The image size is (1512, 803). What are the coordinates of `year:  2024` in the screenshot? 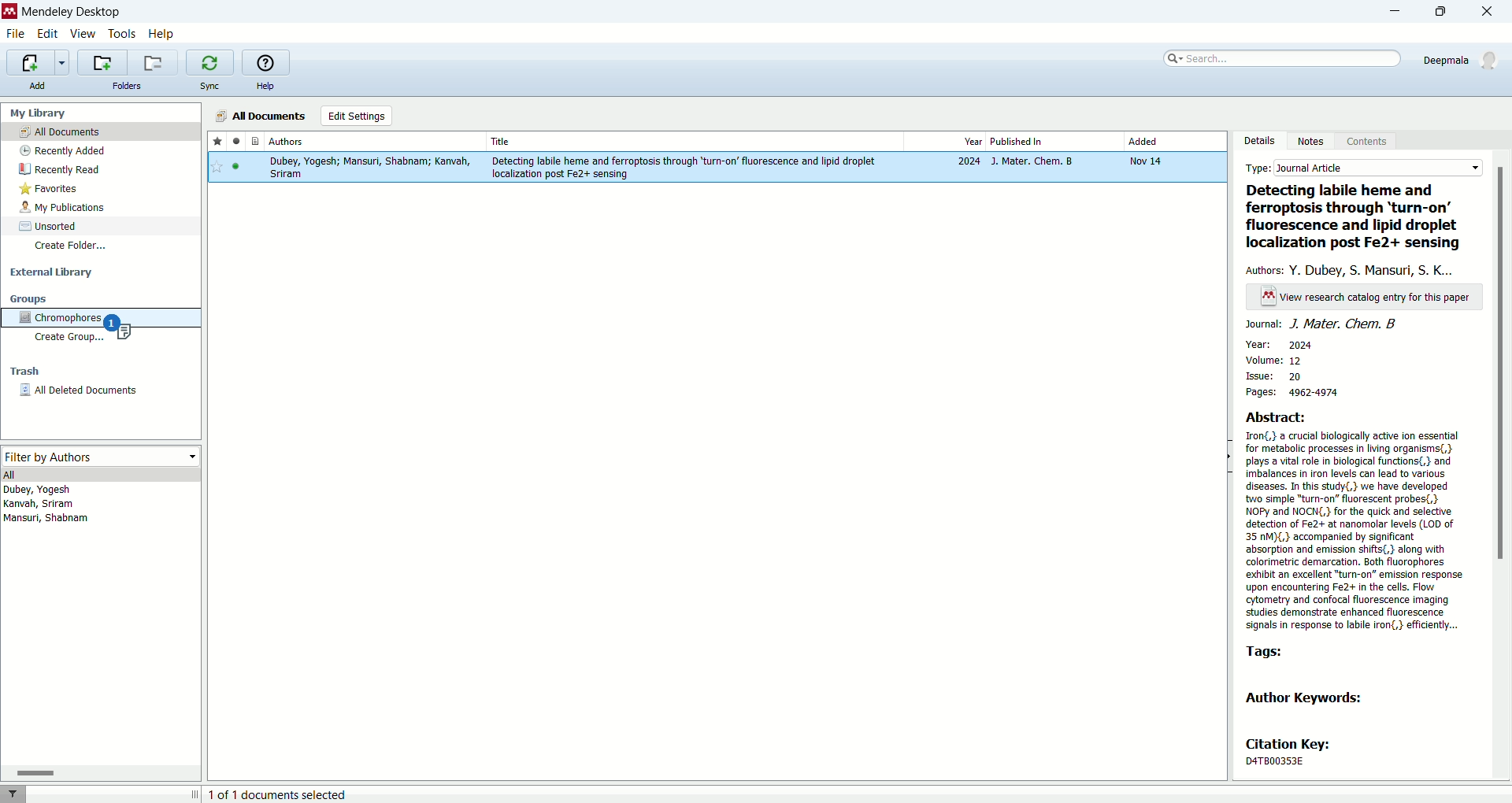 It's located at (1280, 343).